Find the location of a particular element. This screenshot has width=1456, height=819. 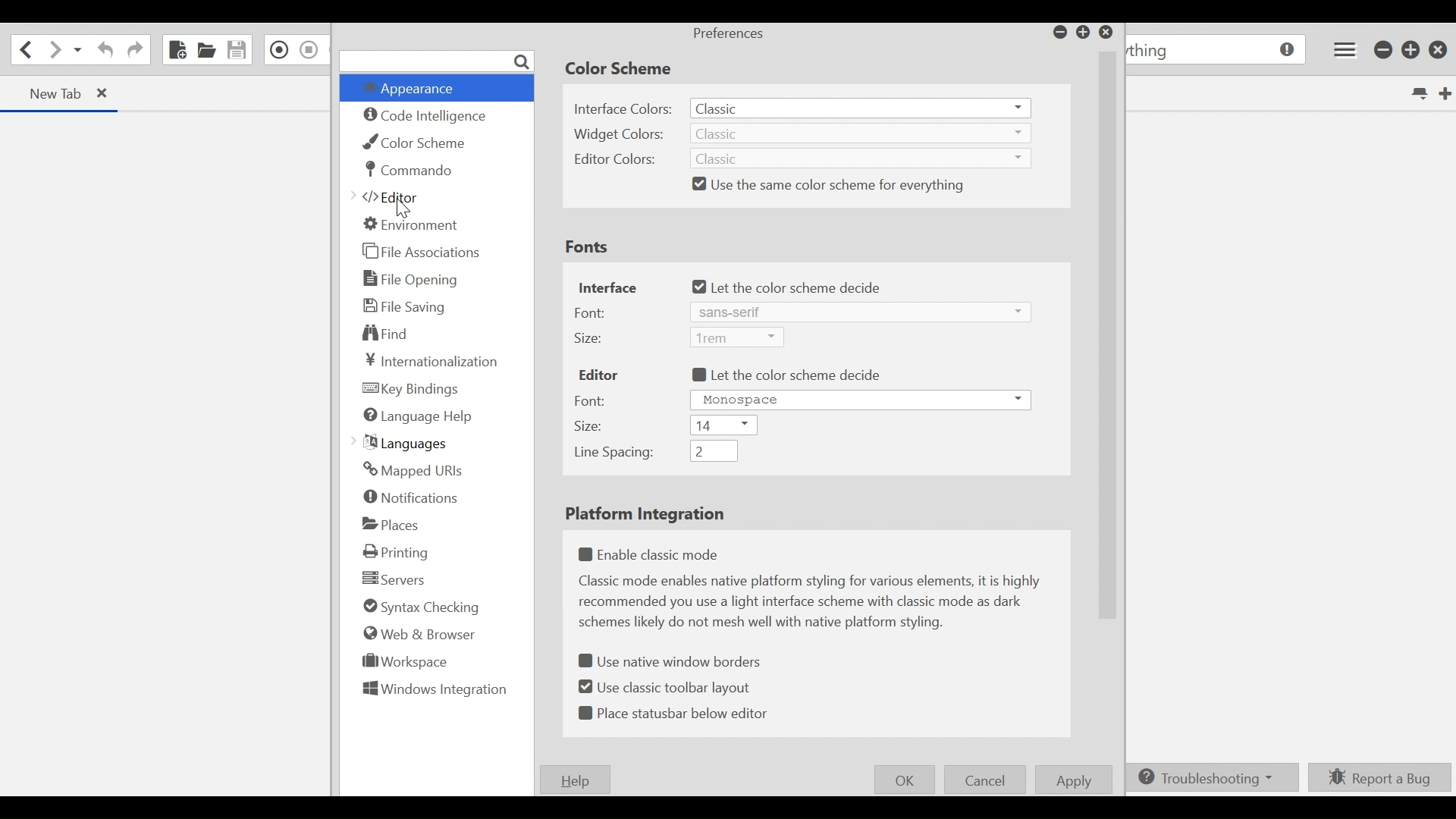

(un)select let the color scheme decide is located at coordinates (786, 287).